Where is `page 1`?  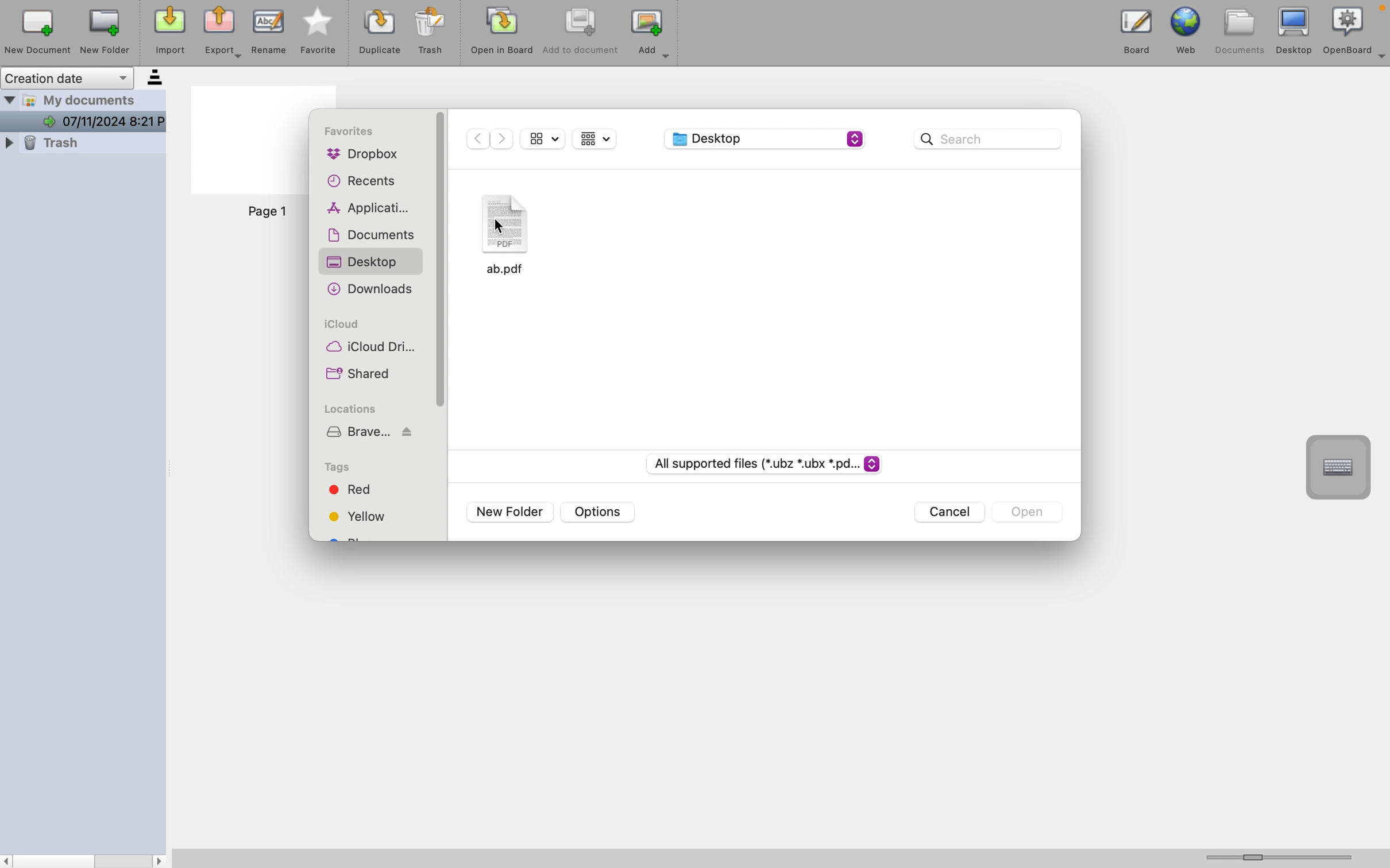 page 1 is located at coordinates (268, 212).